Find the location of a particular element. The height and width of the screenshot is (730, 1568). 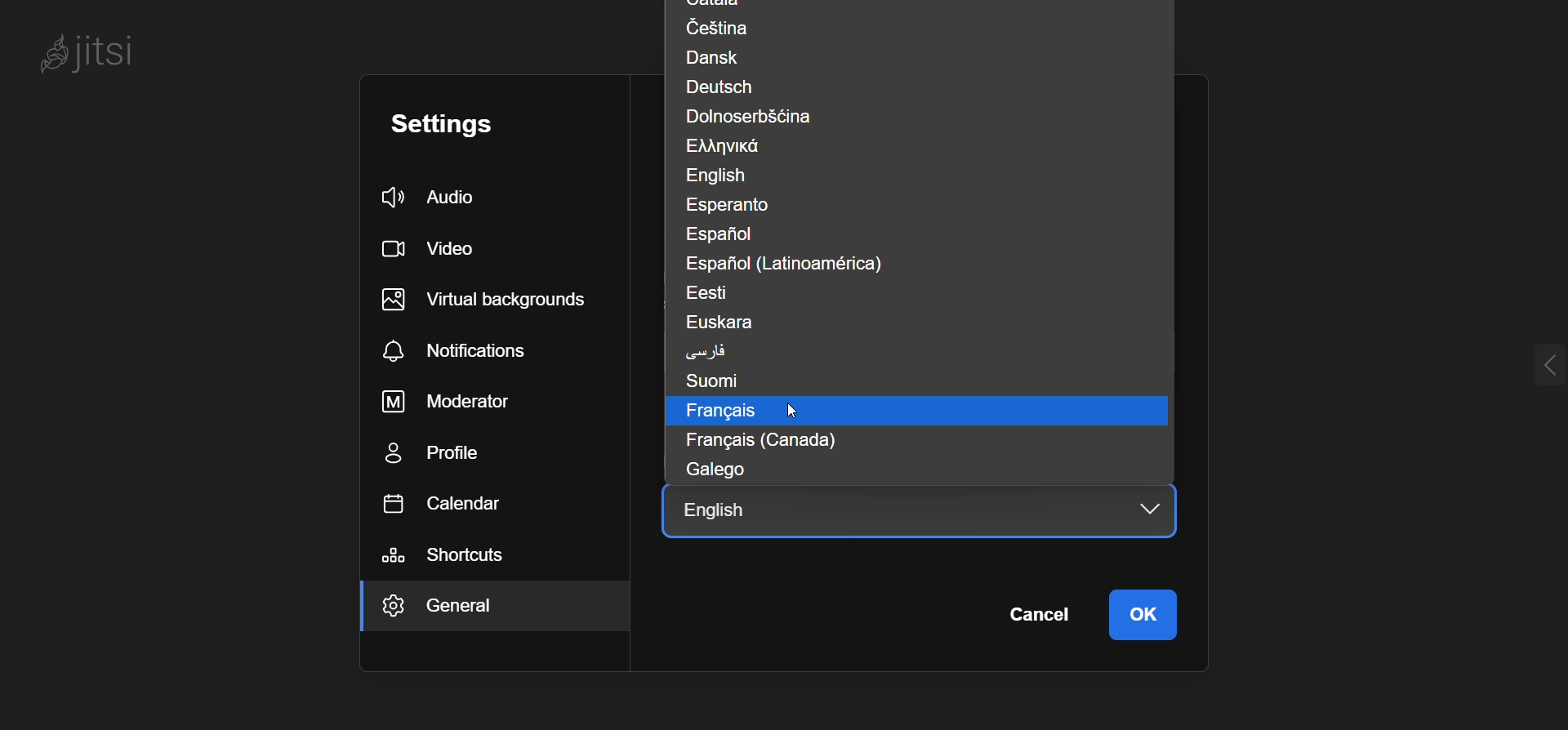

urdu is located at coordinates (709, 349).